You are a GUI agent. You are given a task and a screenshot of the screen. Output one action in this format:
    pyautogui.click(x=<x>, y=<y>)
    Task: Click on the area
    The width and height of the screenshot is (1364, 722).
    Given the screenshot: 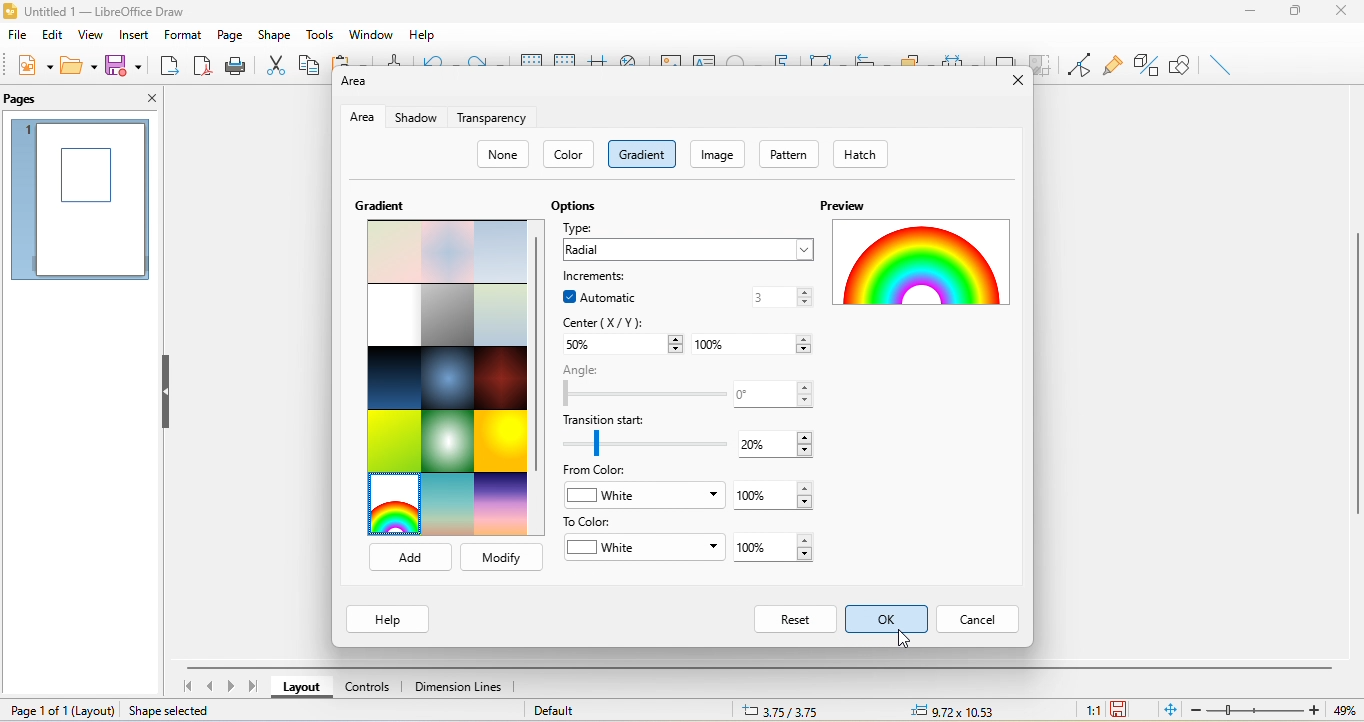 What is the action you would take?
    pyautogui.click(x=359, y=118)
    